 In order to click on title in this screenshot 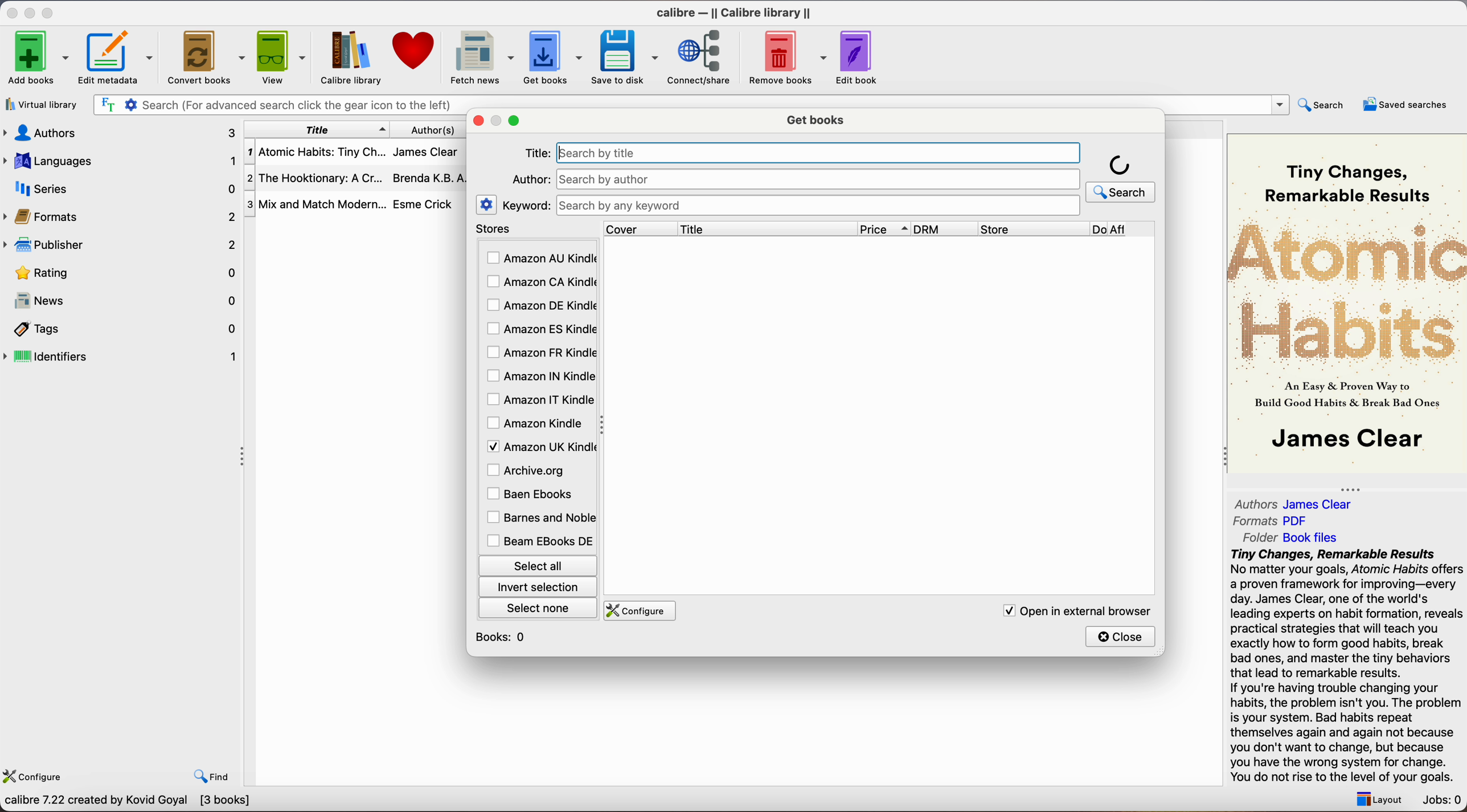, I will do `click(767, 228)`.